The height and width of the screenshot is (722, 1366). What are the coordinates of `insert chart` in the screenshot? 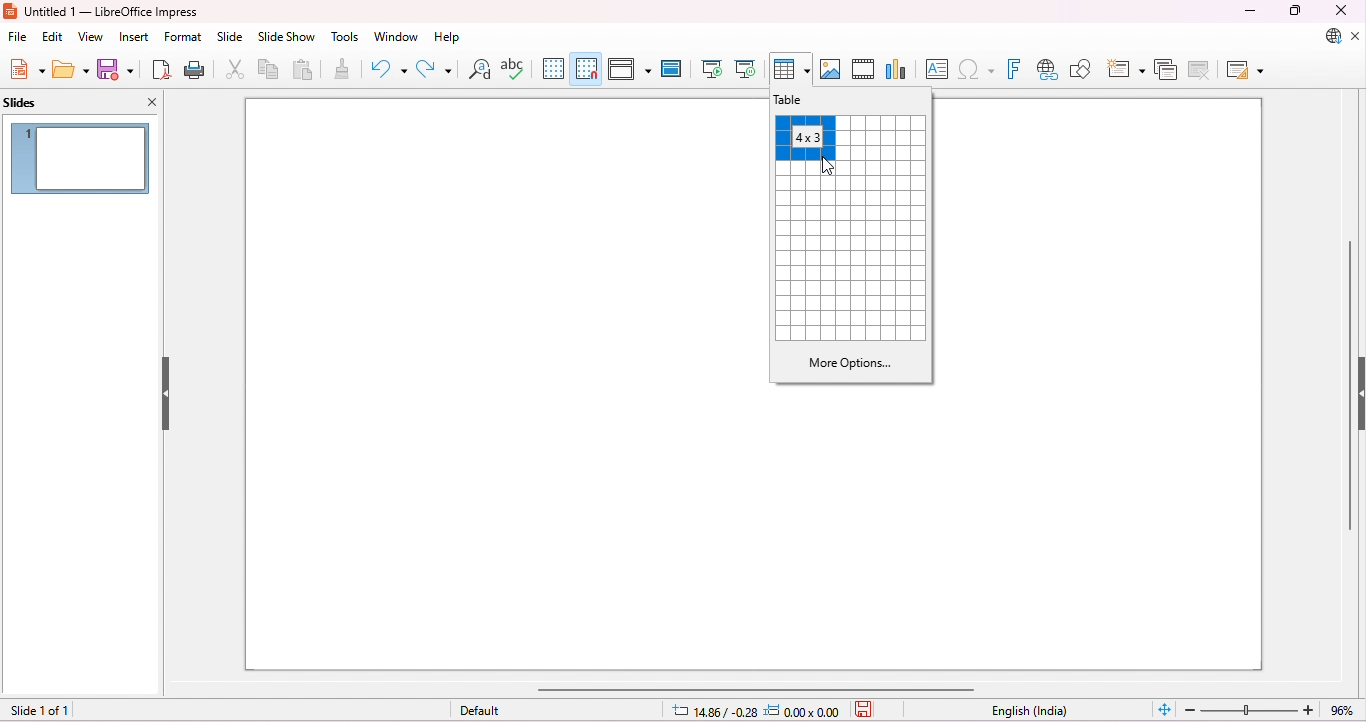 It's located at (896, 70).